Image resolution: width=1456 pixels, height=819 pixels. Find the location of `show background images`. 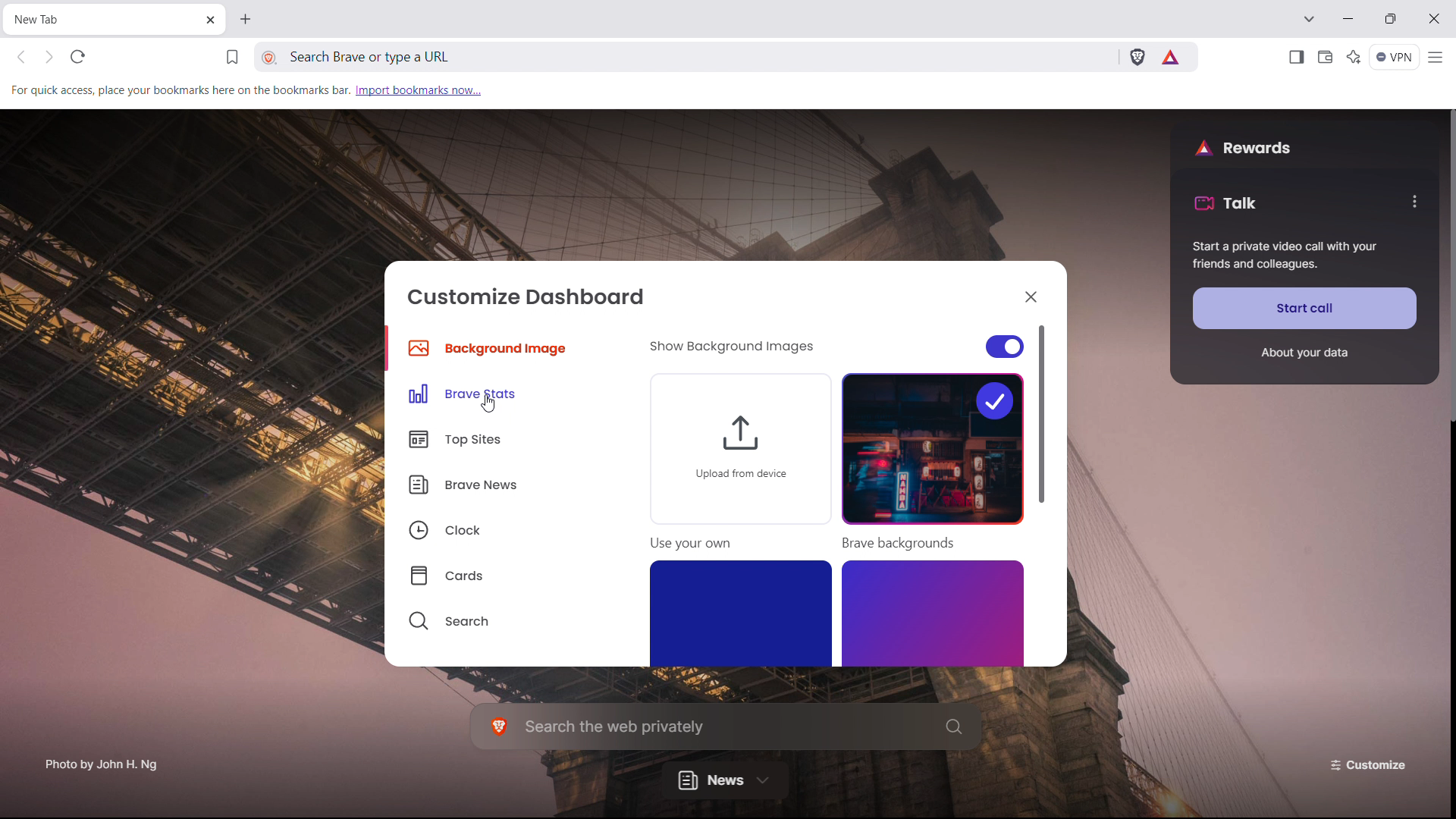

show background images is located at coordinates (837, 346).